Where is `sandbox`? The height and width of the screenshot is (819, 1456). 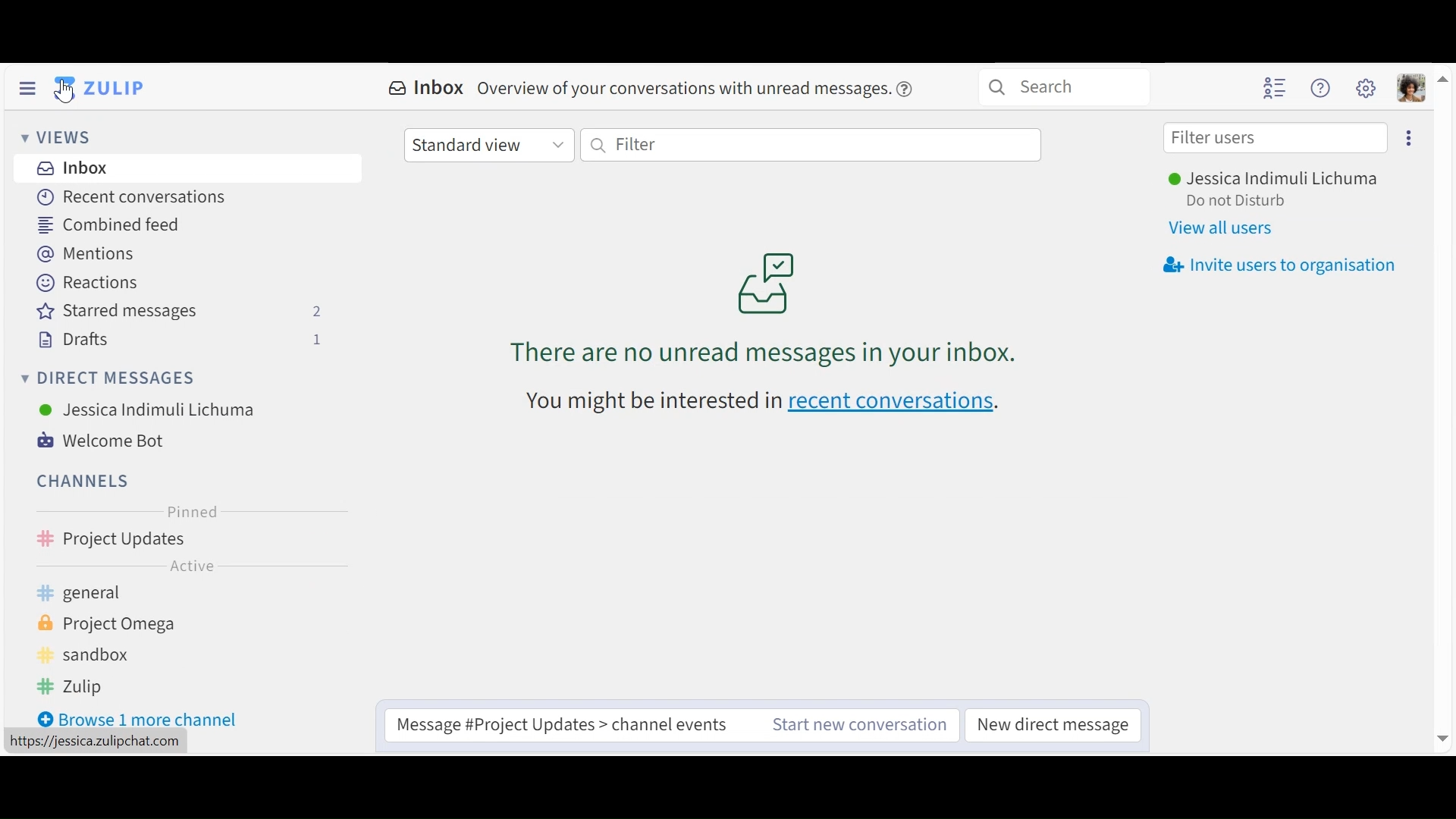 sandbox is located at coordinates (128, 657).